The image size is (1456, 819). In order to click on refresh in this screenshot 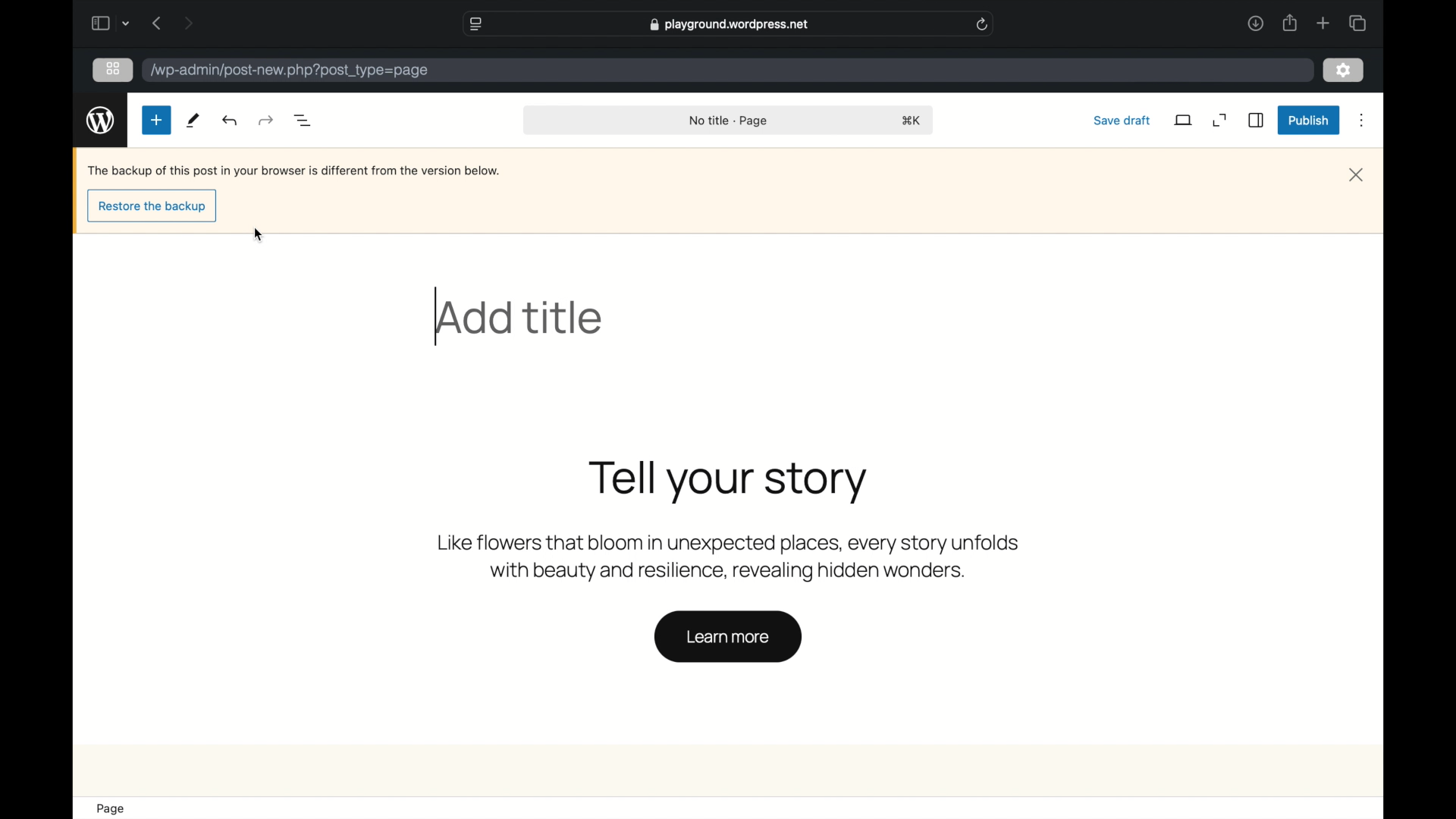, I will do `click(983, 24)`.